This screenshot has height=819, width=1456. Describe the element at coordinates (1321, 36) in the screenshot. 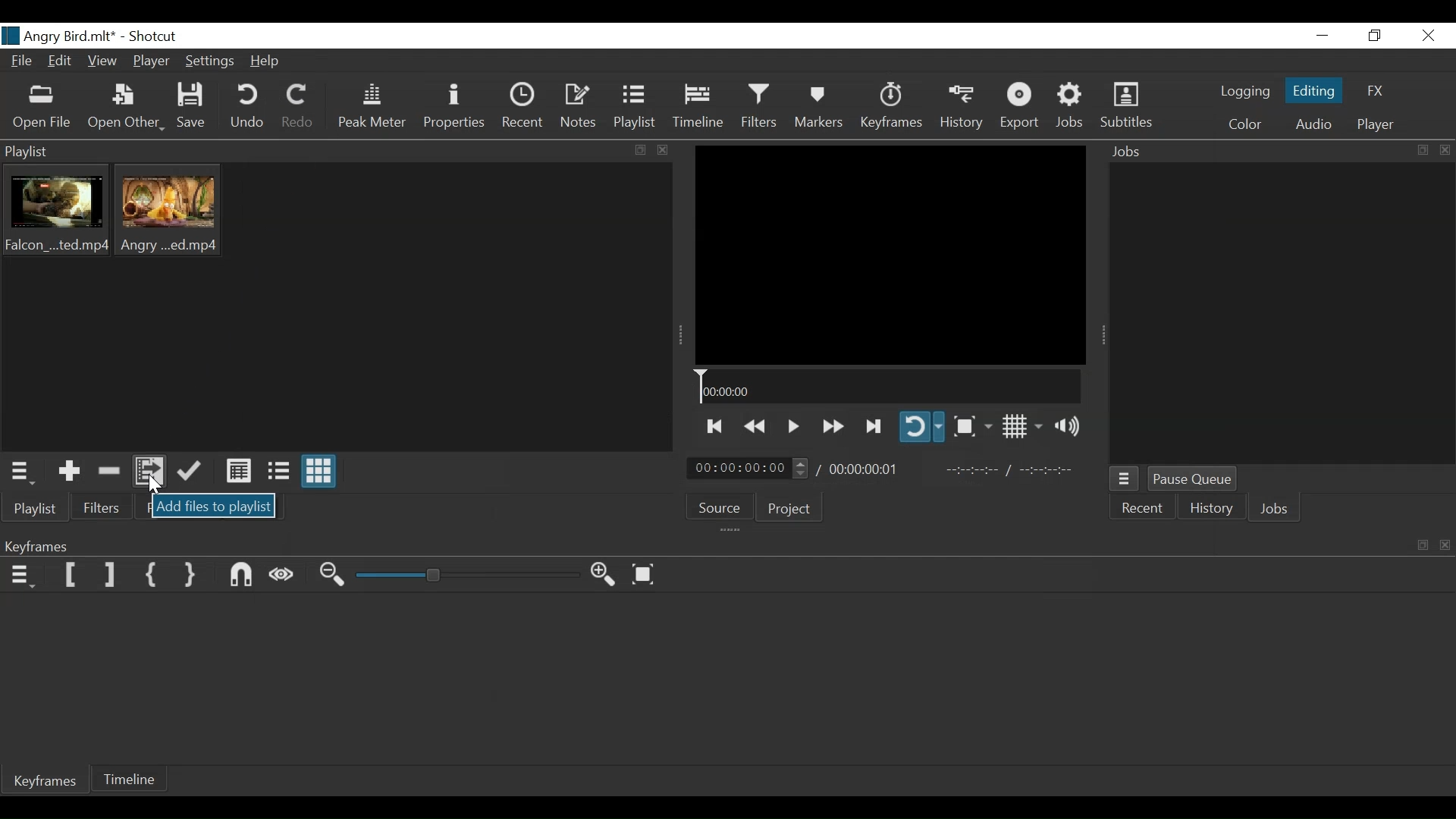

I see `Minimize` at that location.